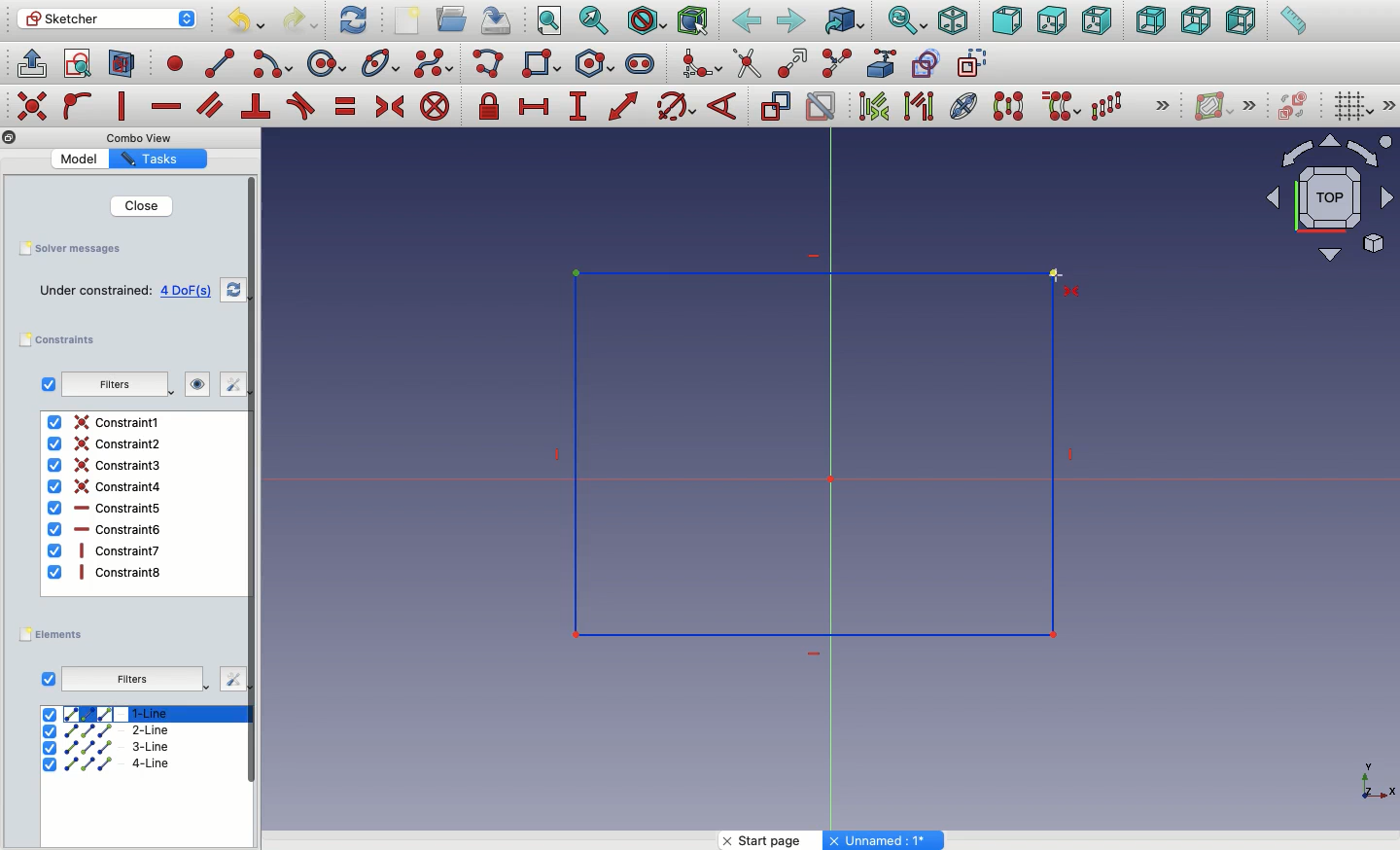 The image size is (1400, 850). Describe the element at coordinates (1059, 107) in the screenshot. I see `Clone` at that location.